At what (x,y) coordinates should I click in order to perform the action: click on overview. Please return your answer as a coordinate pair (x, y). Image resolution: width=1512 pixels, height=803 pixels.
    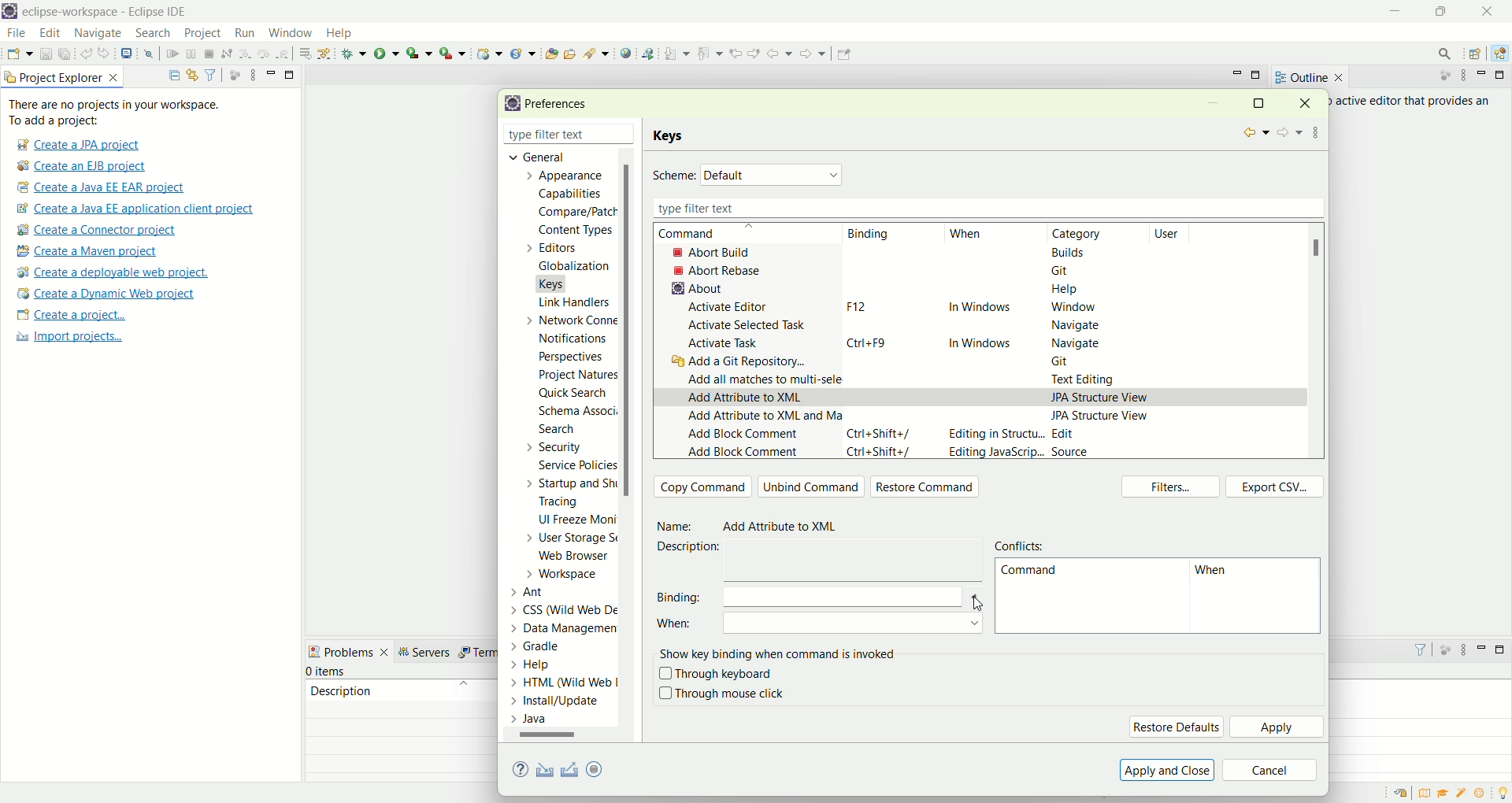
    Looking at the image, I should click on (1428, 793).